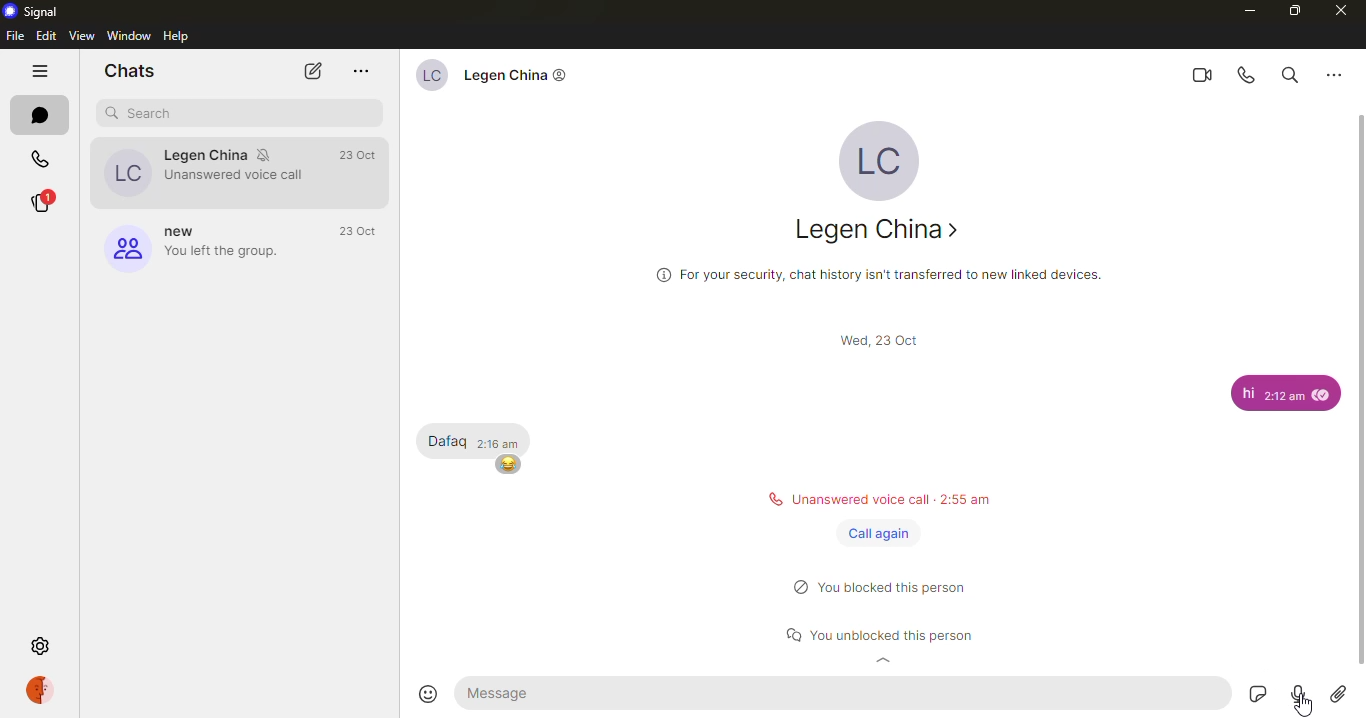 Image resolution: width=1366 pixels, height=718 pixels. What do you see at coordinates (1240, 11) in the screenshot?
I see `minimize` at bounding box center [1240, 11].